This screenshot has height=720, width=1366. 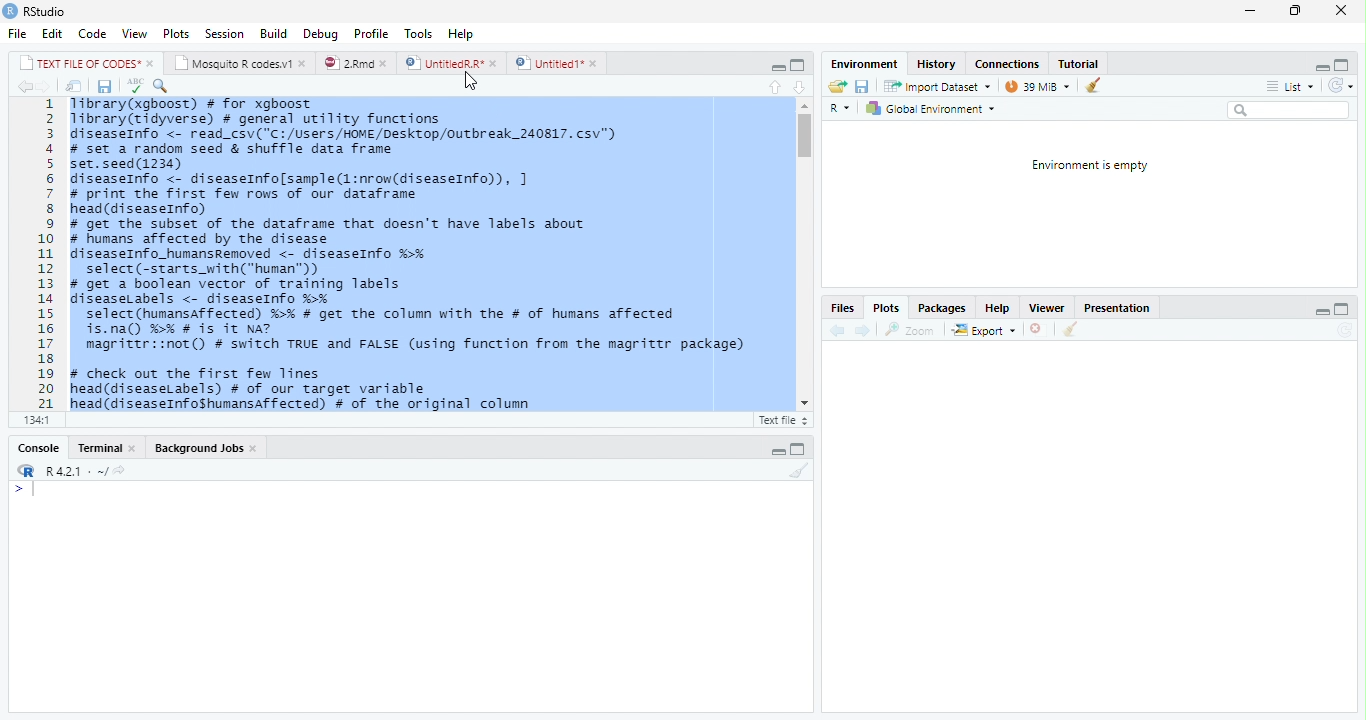 I want to click on Import dataset, so click(x=936, y=85).